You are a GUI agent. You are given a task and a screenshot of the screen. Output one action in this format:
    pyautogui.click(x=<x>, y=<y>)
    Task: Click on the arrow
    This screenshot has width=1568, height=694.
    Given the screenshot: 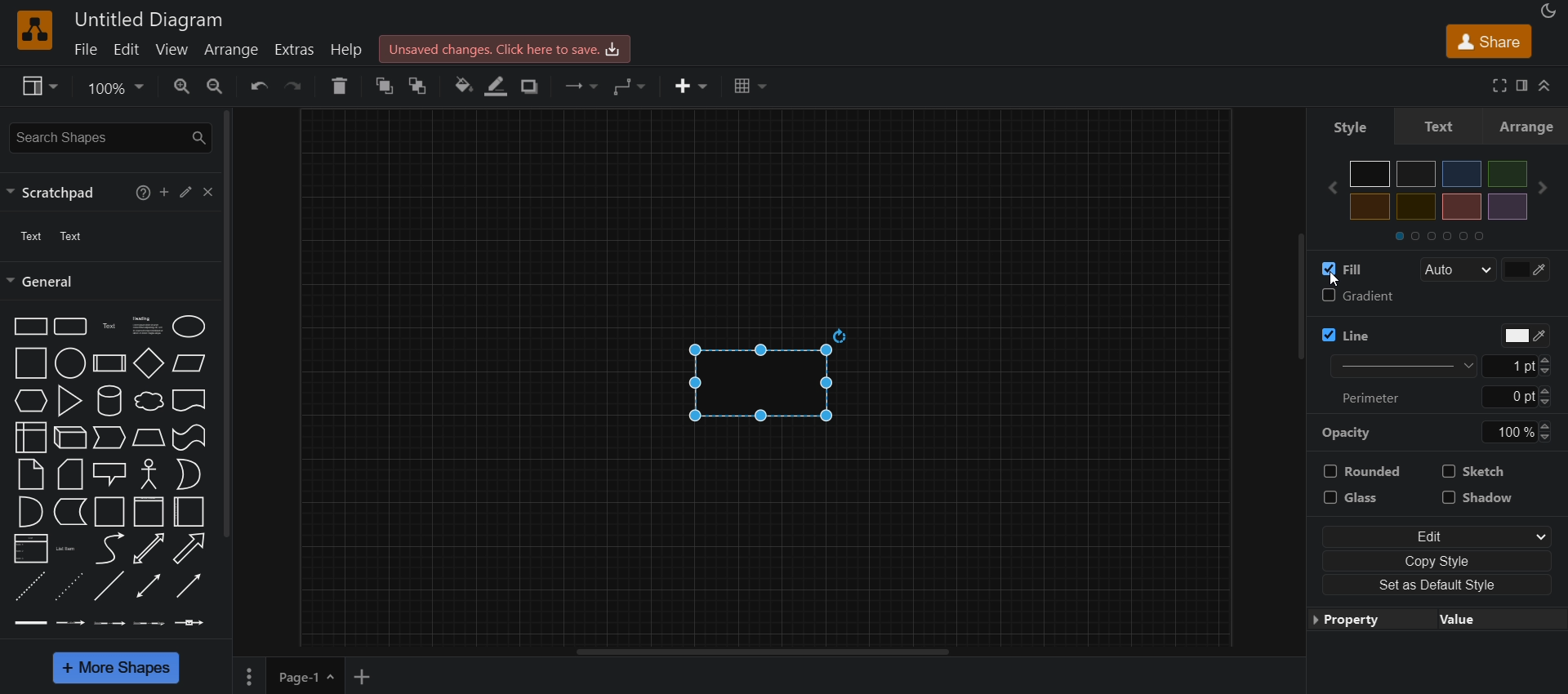 What is the action you would take?
    pyautogui.click(x=188, y=549)
    